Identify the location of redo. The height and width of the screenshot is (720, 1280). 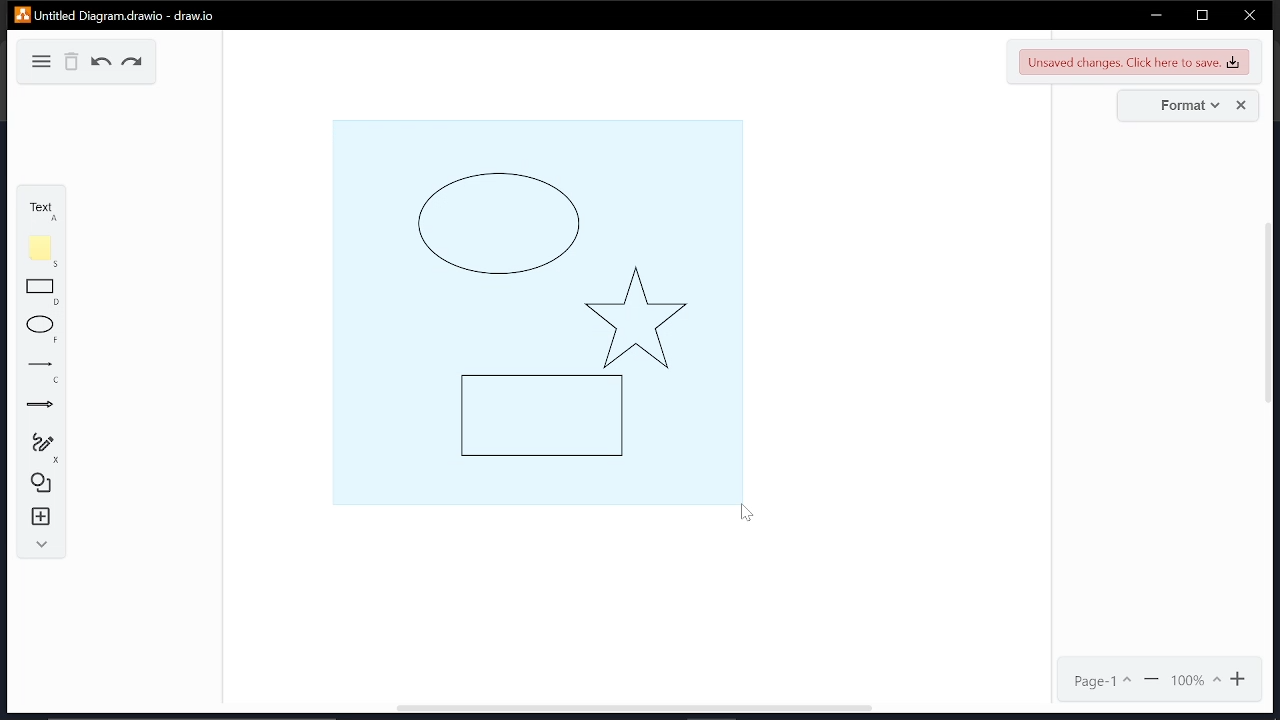
(133, 64).